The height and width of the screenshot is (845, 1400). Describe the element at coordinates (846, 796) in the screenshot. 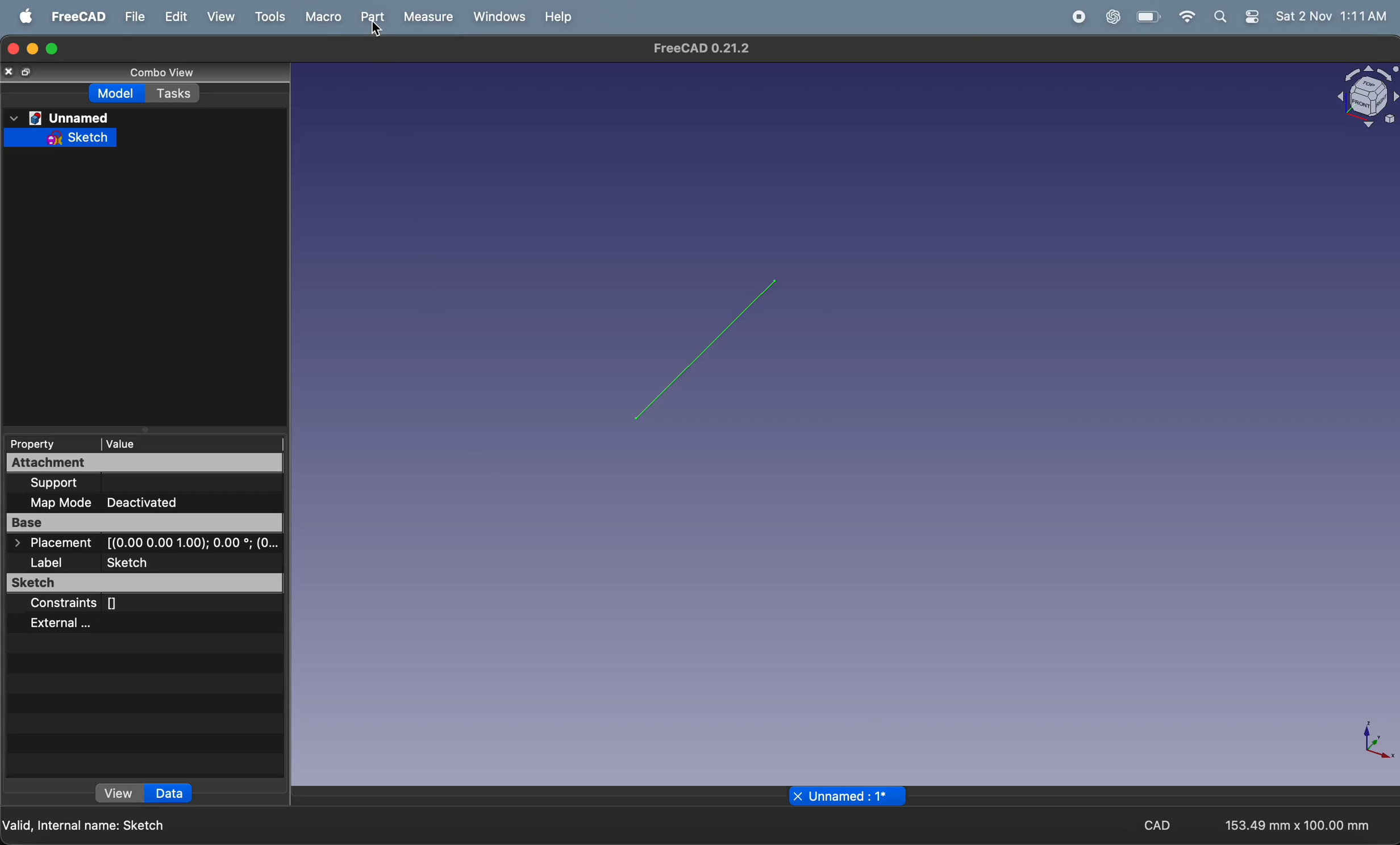

I see `unnamed` at that location.